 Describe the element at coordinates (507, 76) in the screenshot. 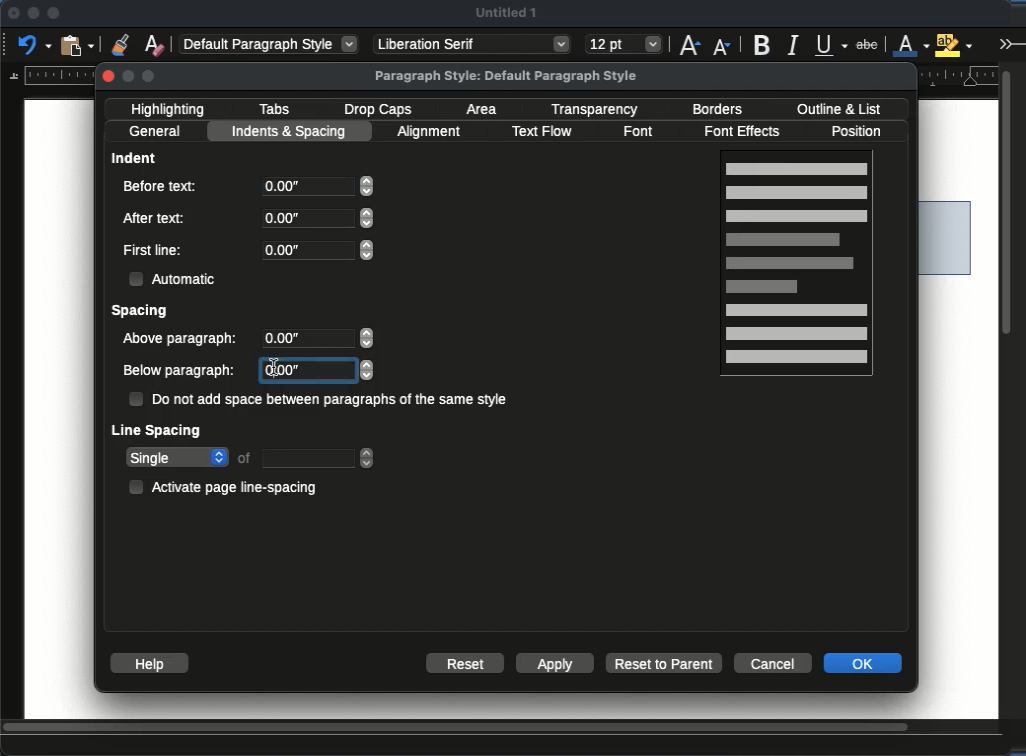

I see `paragraph style: default paragraph style` at that location.